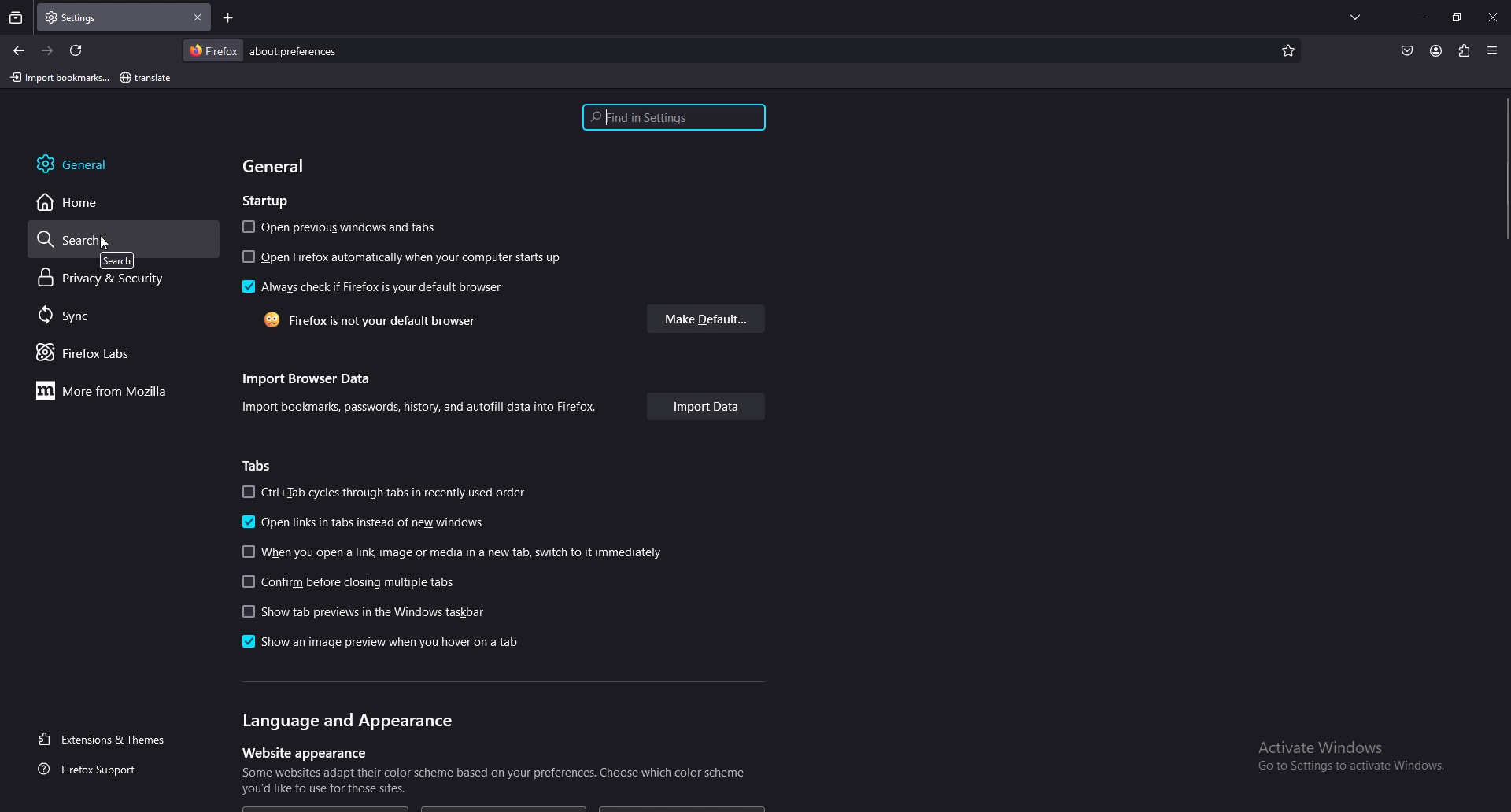 The image size is (1511, 812). Describe the element at coordinates (707, 319) in the screenshot. I see `make default` at that location.